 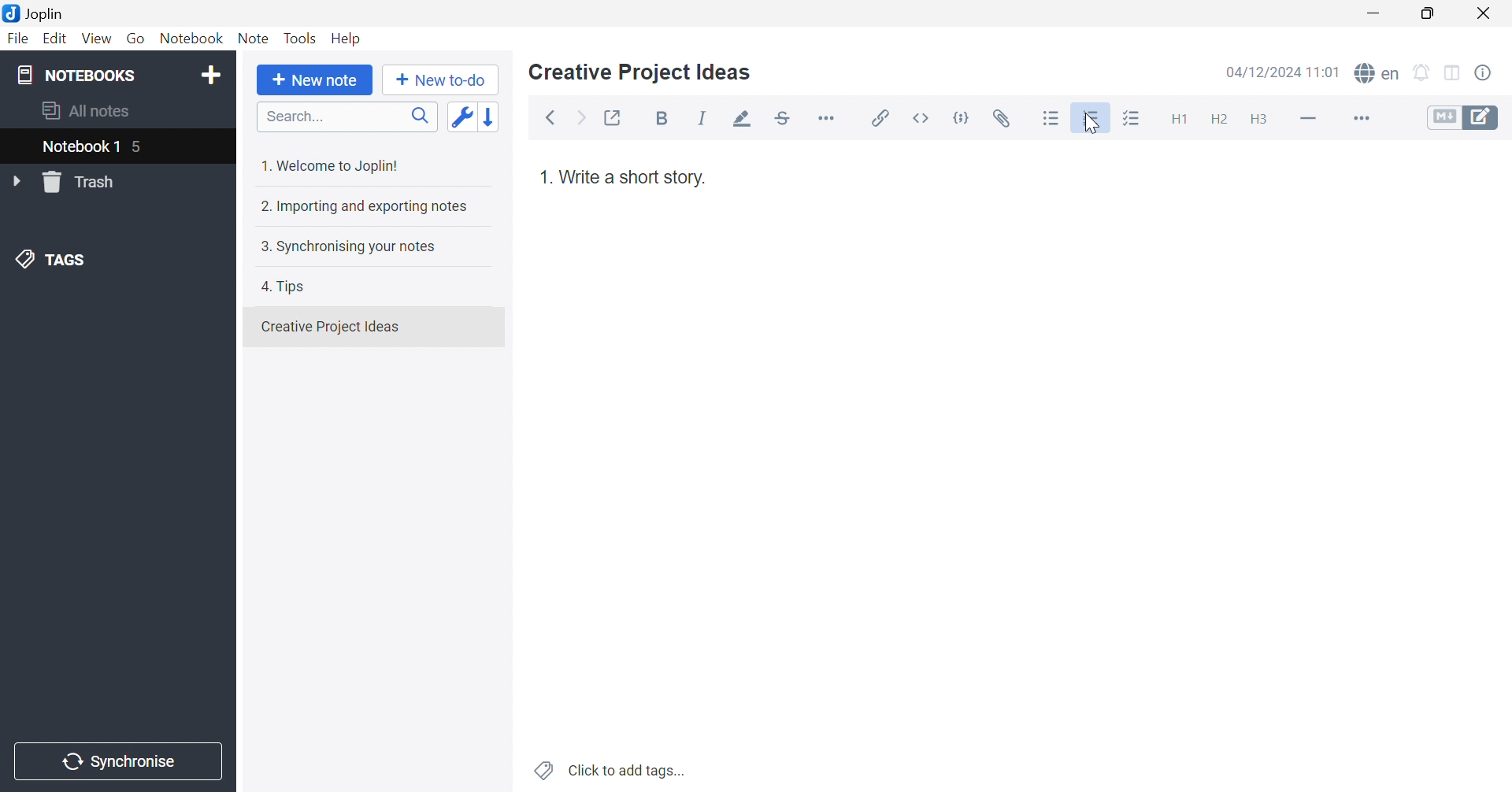 What do you see at coordinates (1092, 120) in the screenshot?
I see `Numbered list` at bounding box center [1092, 120].